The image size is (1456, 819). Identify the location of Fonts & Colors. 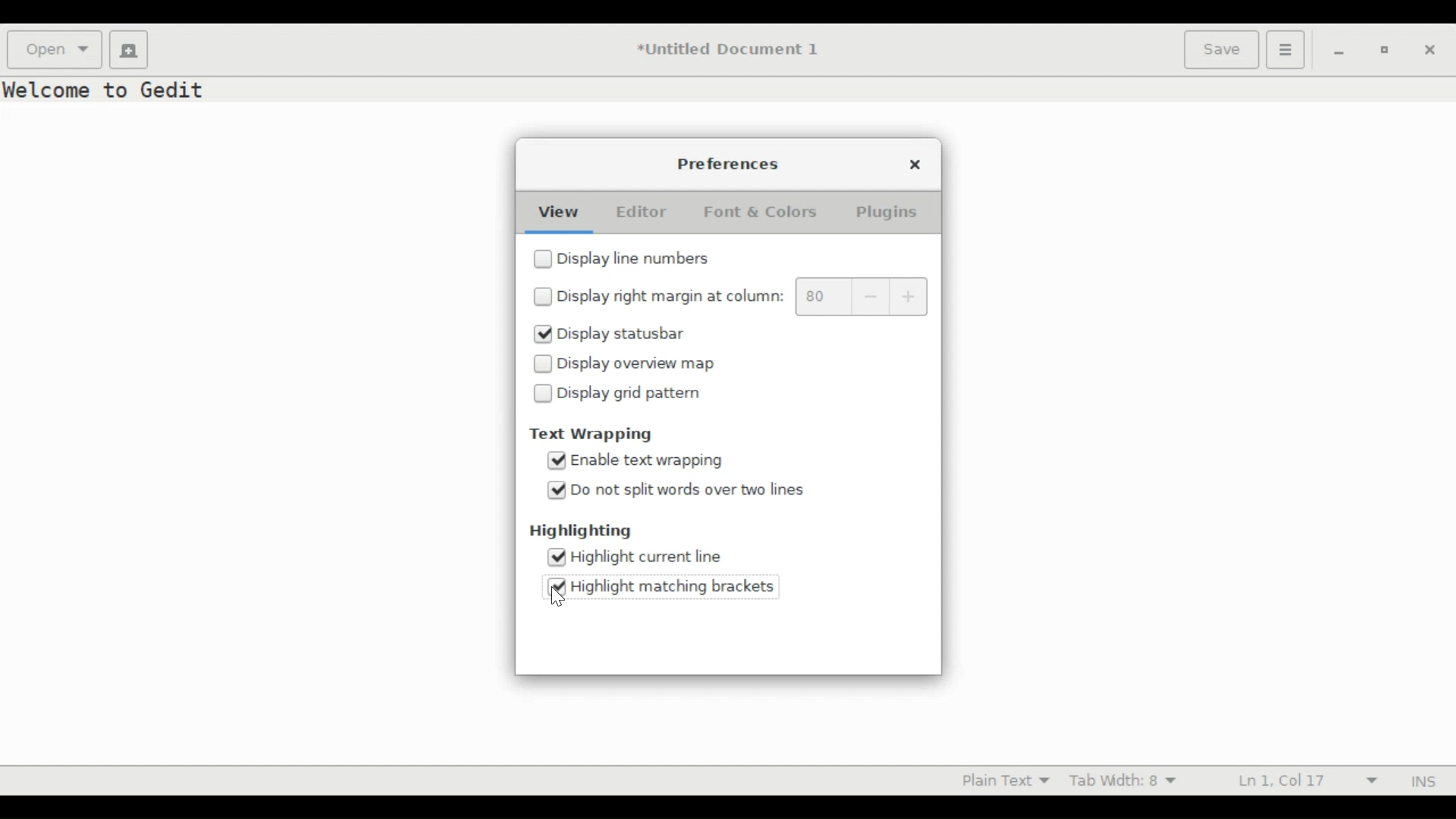
(770, 211).